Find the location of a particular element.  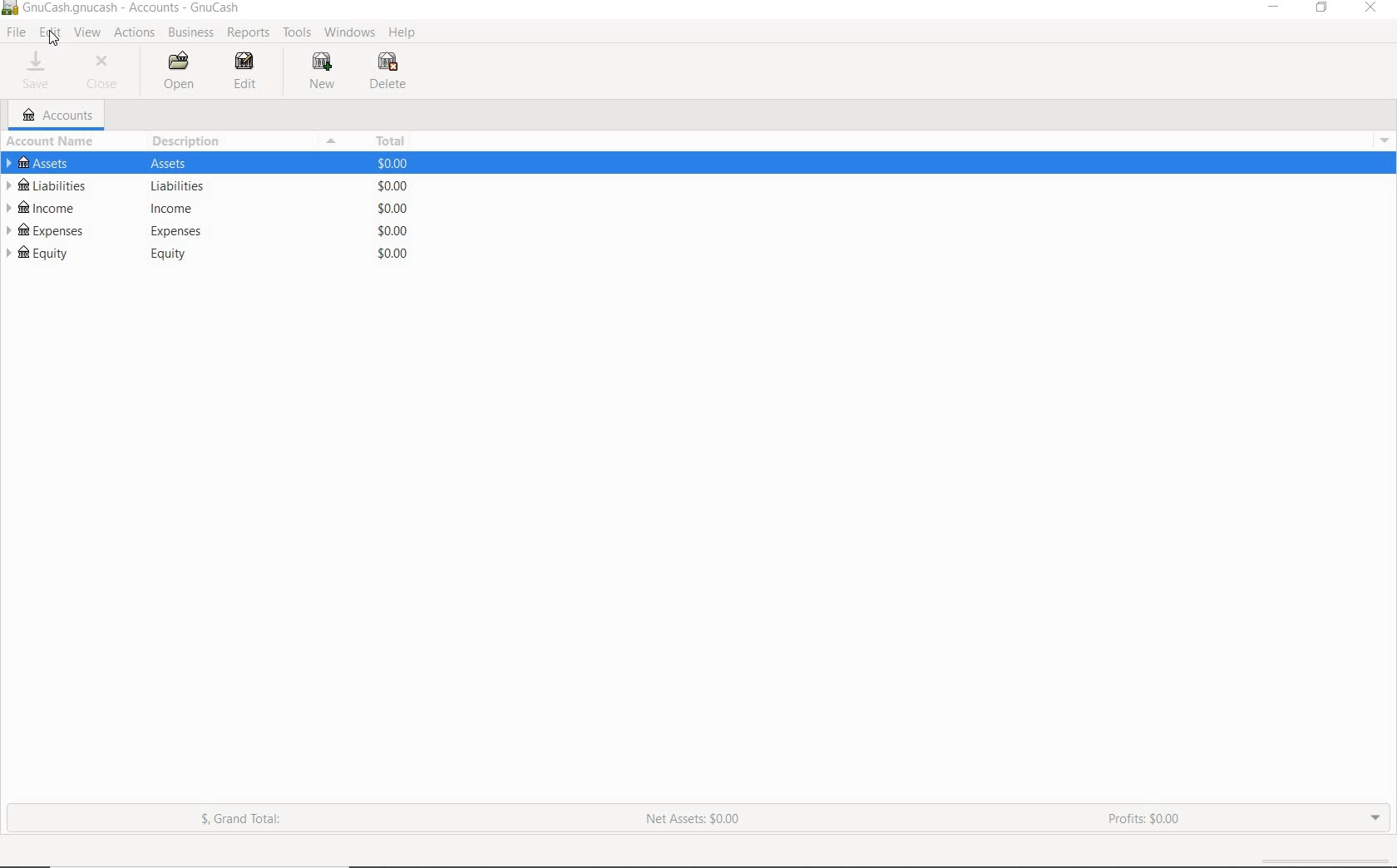

LIABILITIES is located at coordinates (205, 185).